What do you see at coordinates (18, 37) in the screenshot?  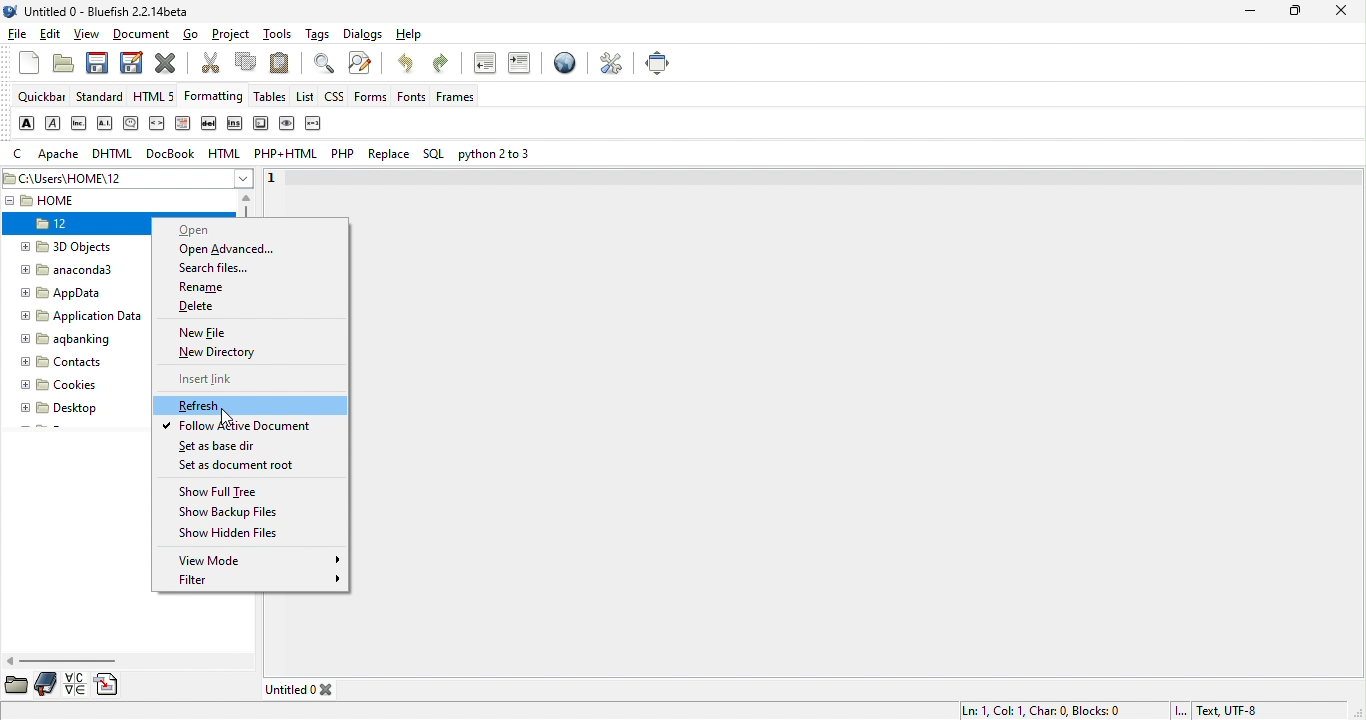 I see `file` at bounding box center [18, 37].